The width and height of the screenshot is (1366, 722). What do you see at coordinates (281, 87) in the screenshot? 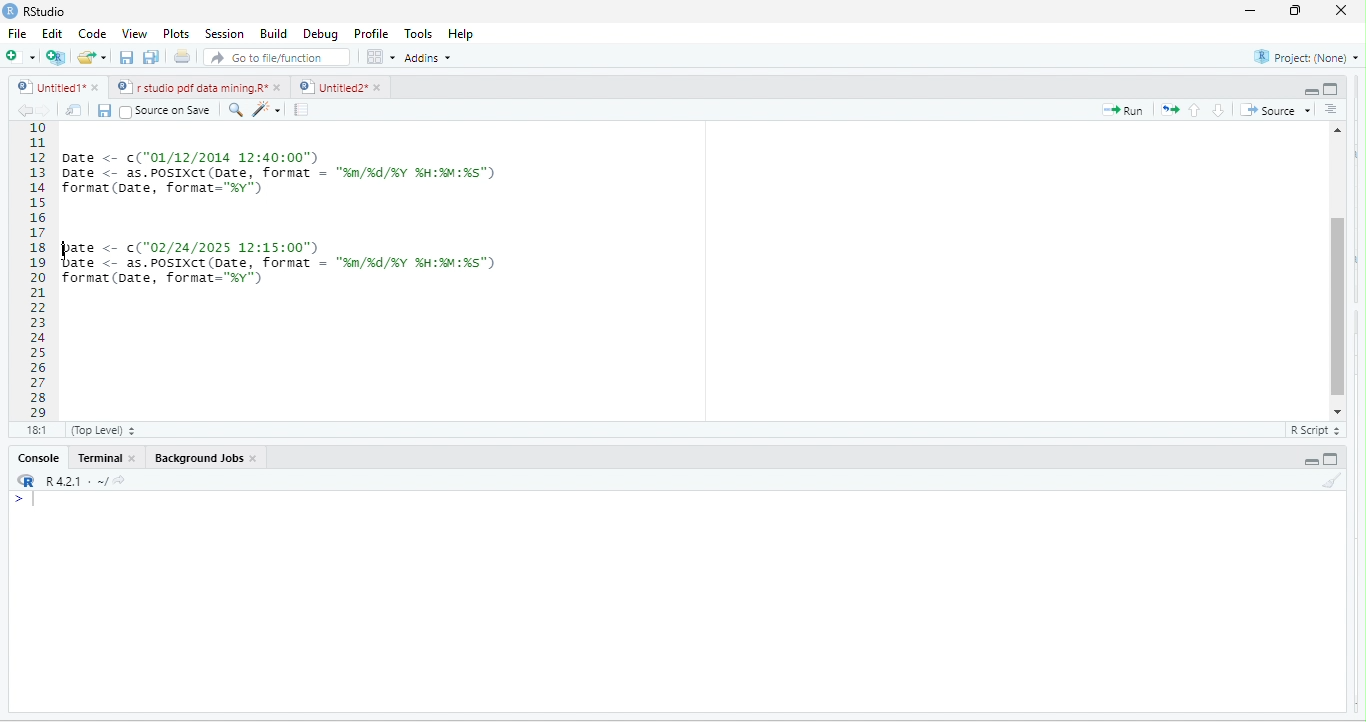
I see `close` at bounding box center [281, 87].